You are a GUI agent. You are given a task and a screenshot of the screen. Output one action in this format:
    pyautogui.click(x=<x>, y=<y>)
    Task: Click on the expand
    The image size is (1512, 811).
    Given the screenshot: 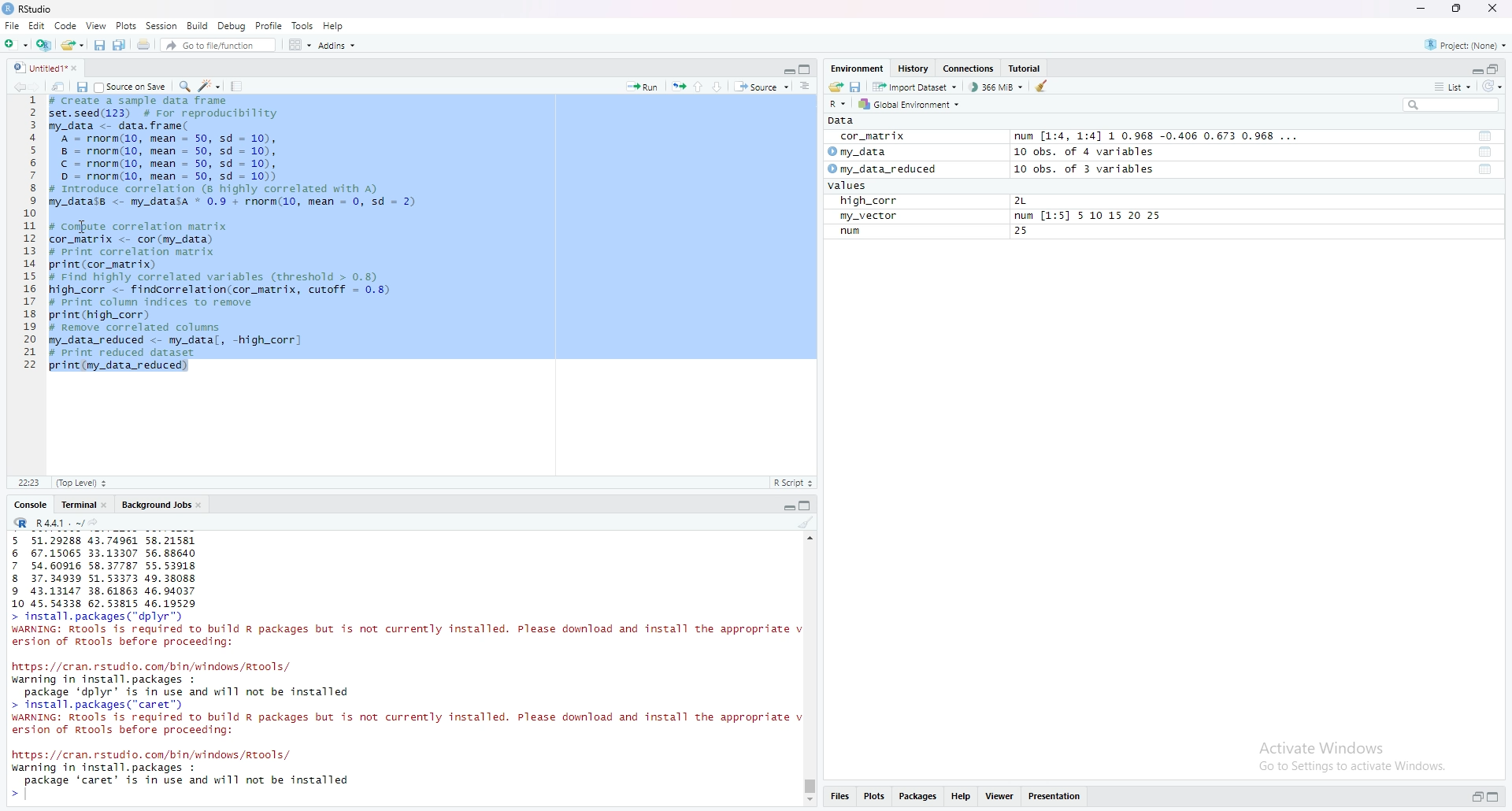 What is the action you would take?
    pyautogui.click(x=1493, y=797)
    